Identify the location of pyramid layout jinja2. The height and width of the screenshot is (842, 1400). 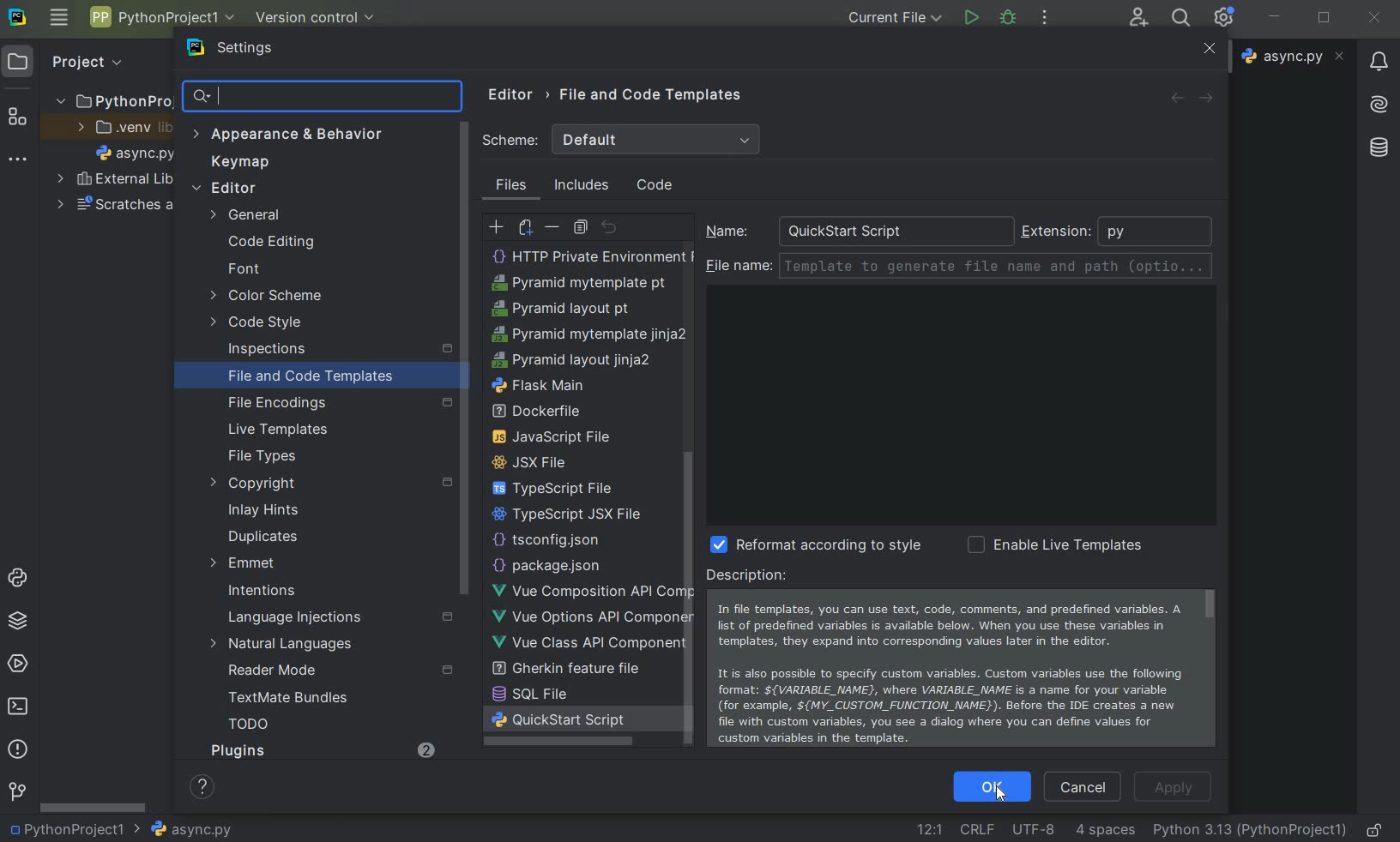
(569, 716).